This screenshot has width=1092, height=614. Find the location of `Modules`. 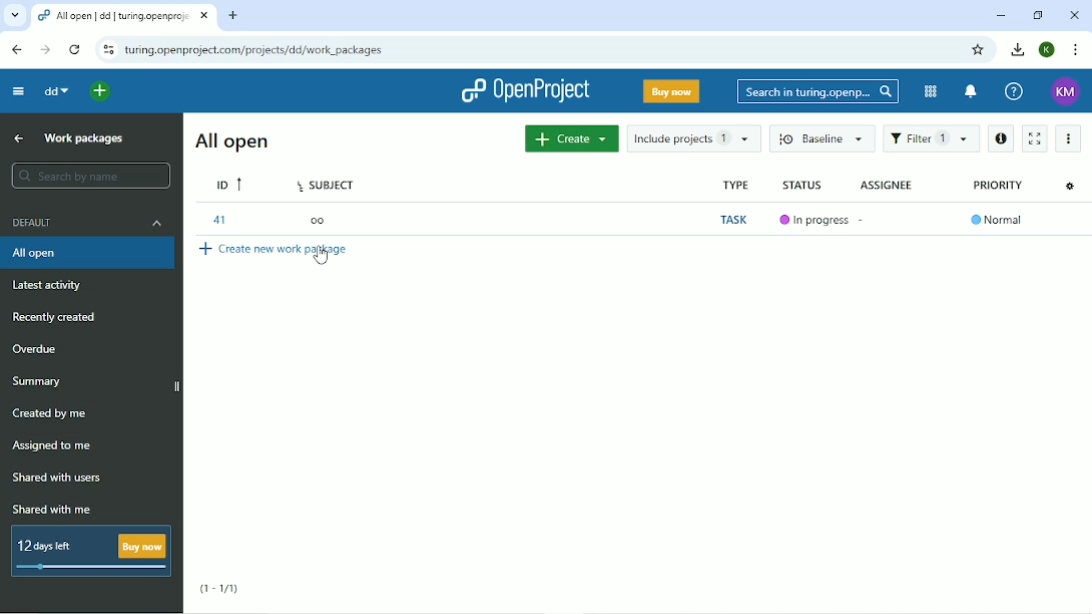

Modules is located at coordinates (929, 90).